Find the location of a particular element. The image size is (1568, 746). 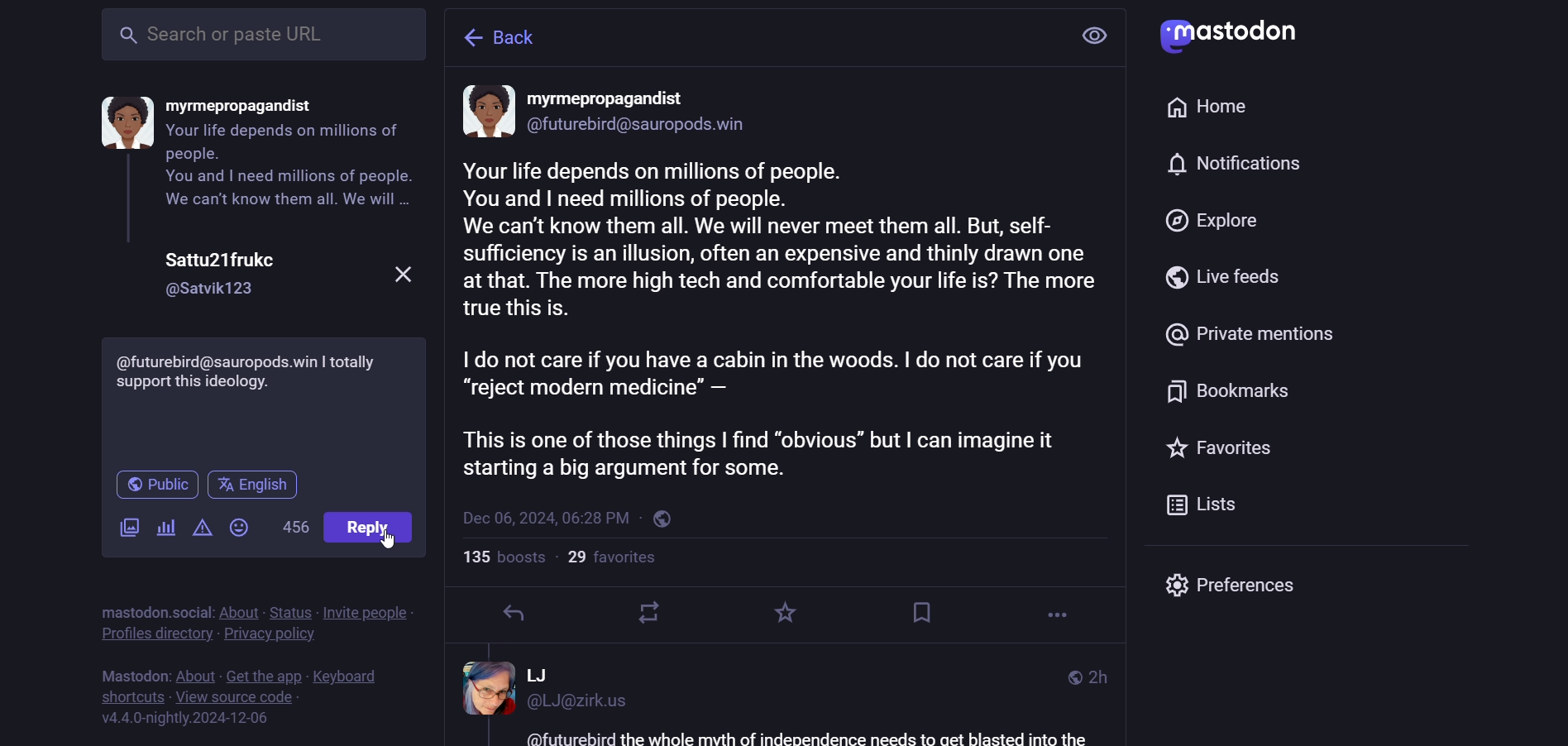

status is located at coordinates (292, 612).